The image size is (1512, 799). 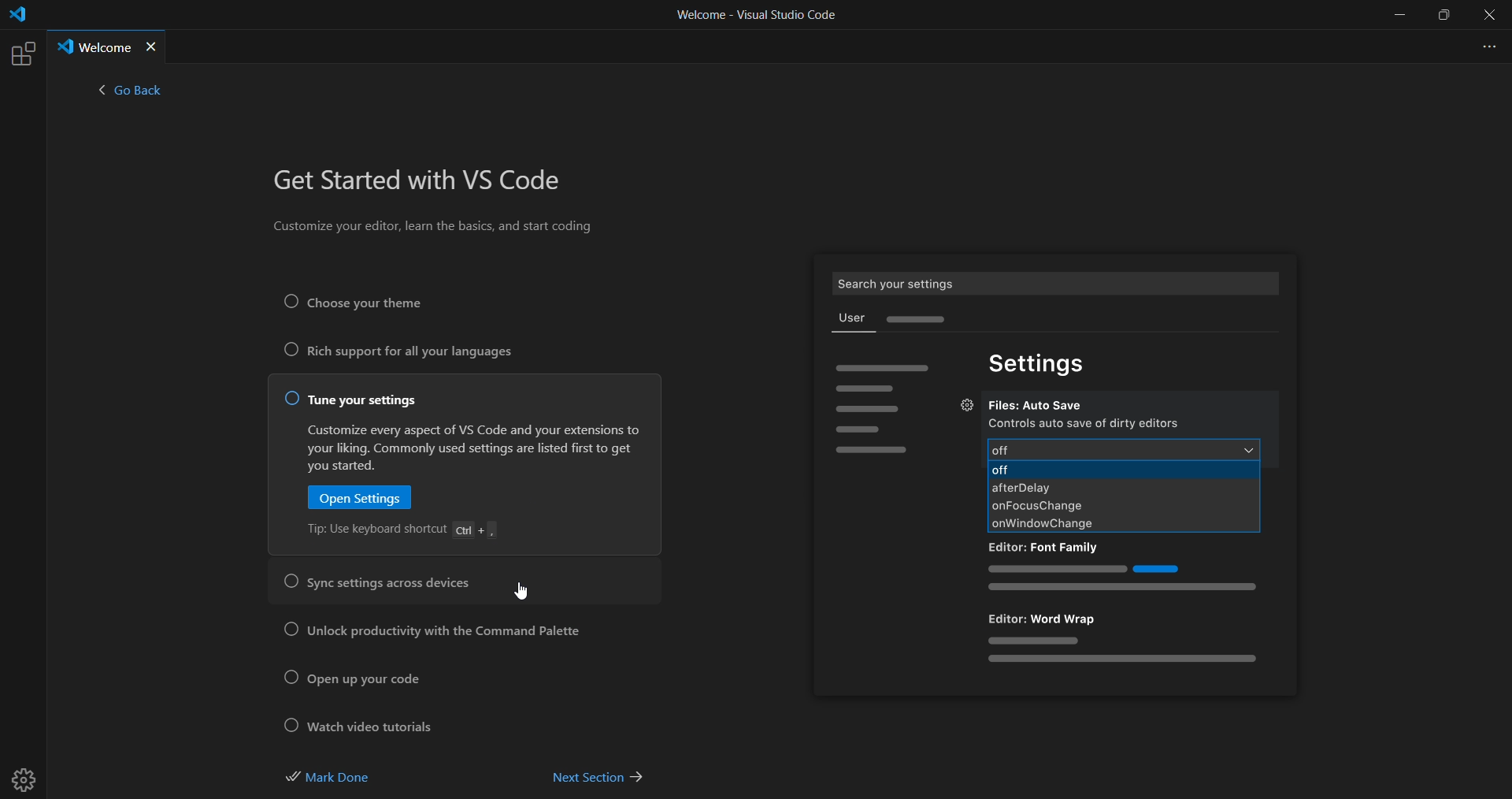 What do you see at coordinates (1058, 525) in the screenshot?
I see `onWindowChange` at bounding box center [1058, 525].